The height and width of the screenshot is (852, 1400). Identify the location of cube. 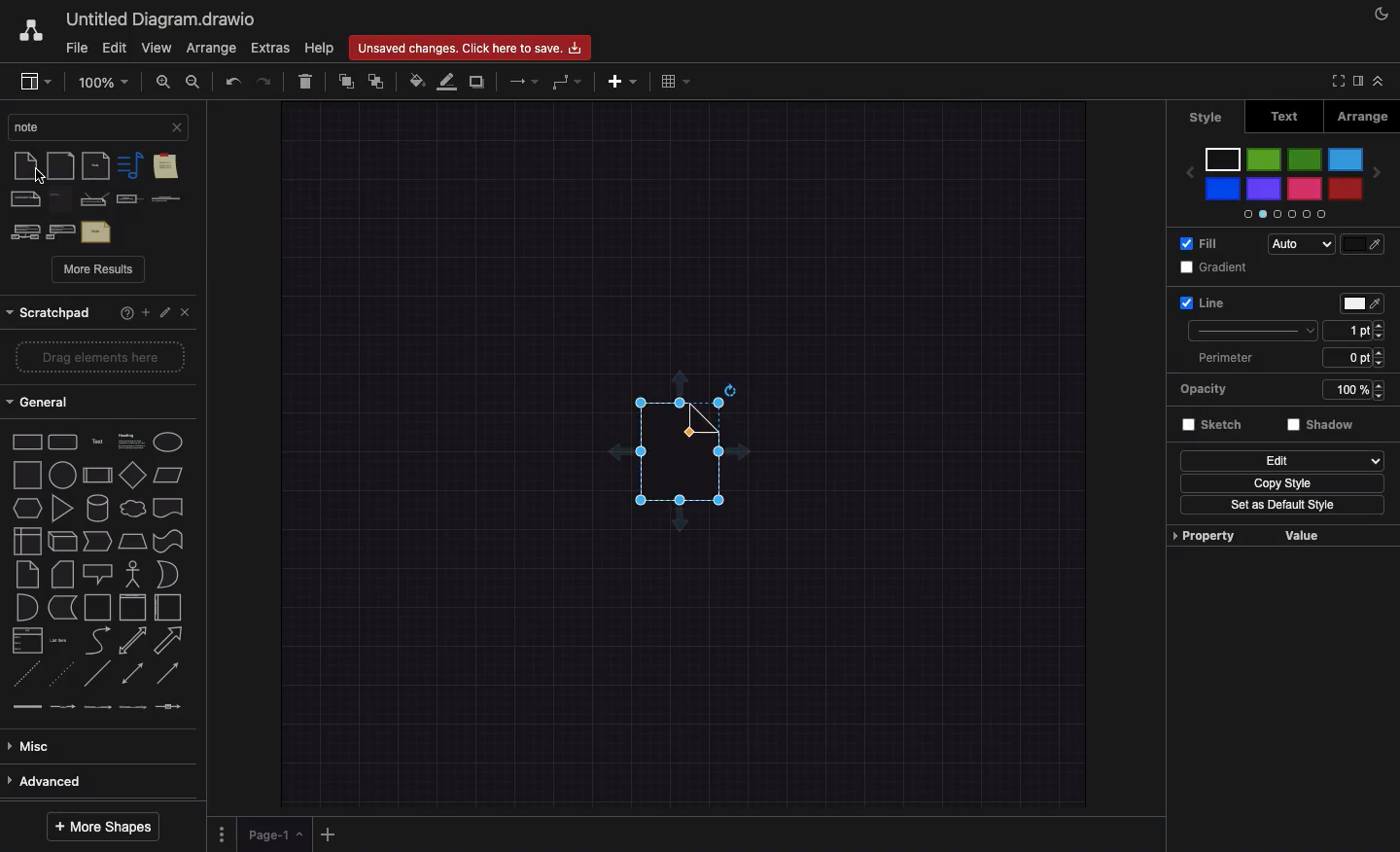
(62, 542).